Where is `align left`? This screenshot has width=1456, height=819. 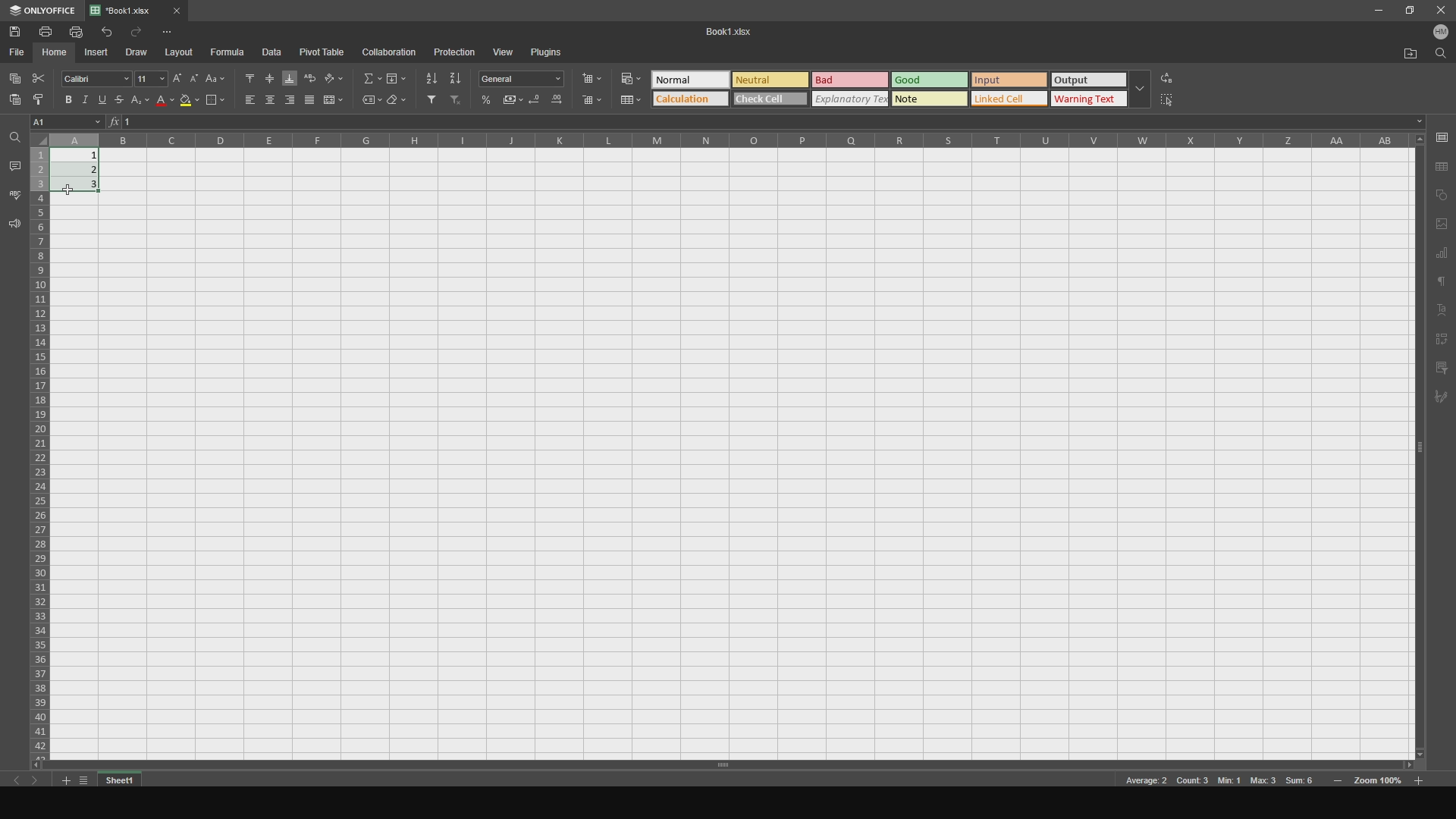
align left is located at coordinates (244, 101).